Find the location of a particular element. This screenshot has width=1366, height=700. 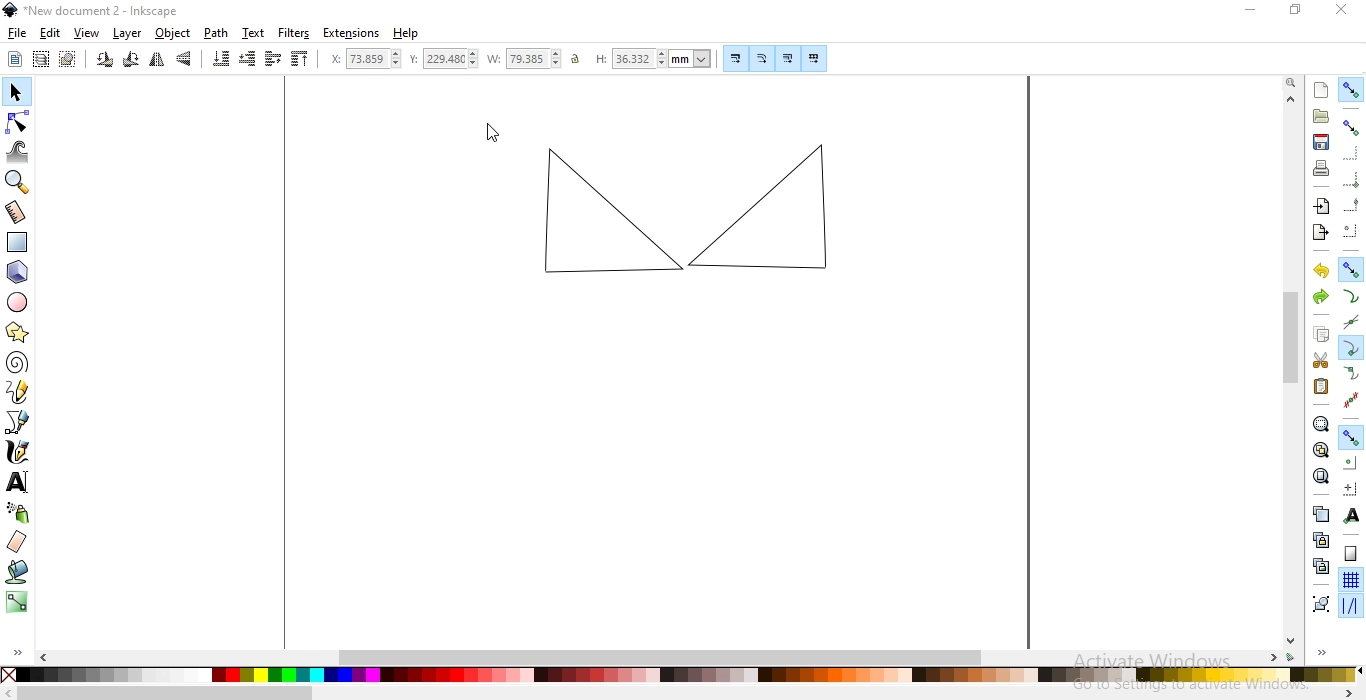

zoom to fit drawing in window is located at coordinates (1320, 448).